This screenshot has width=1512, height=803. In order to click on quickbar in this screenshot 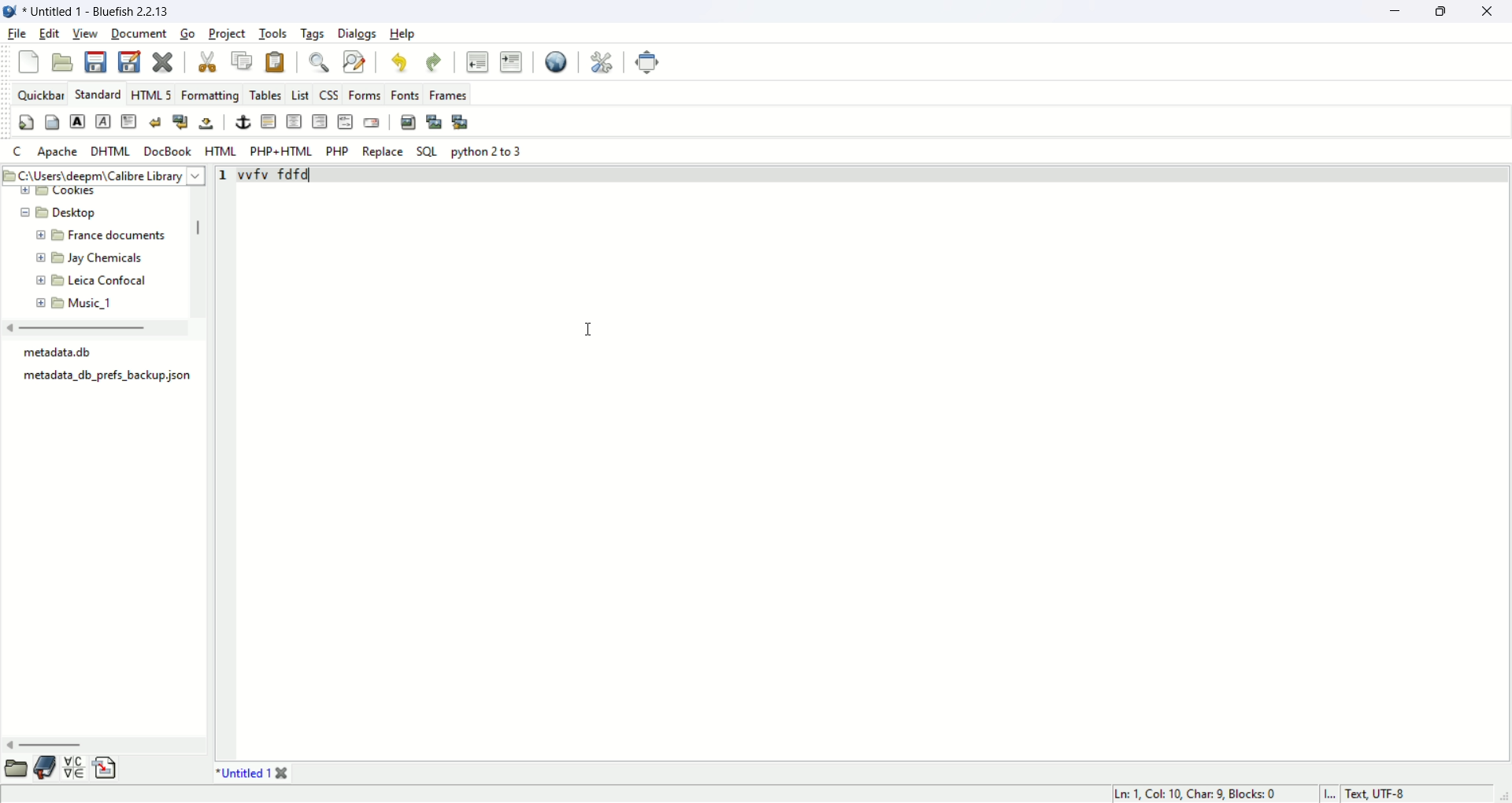, I will do `click(39, 94)`.